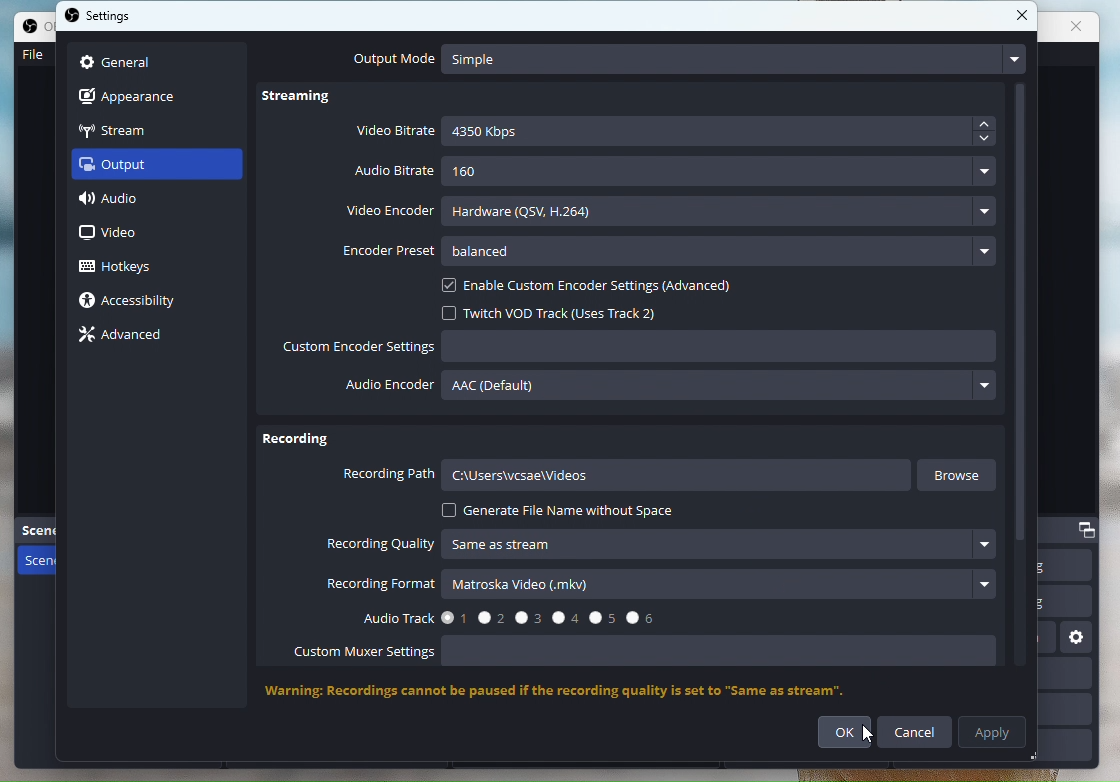 Image resolution: width=1120 pixels, height=782 pixels. What do you see at coordinates (607, 286) in the screenshot?
I see `enable encoder settings` at bounding box center [607, 286].